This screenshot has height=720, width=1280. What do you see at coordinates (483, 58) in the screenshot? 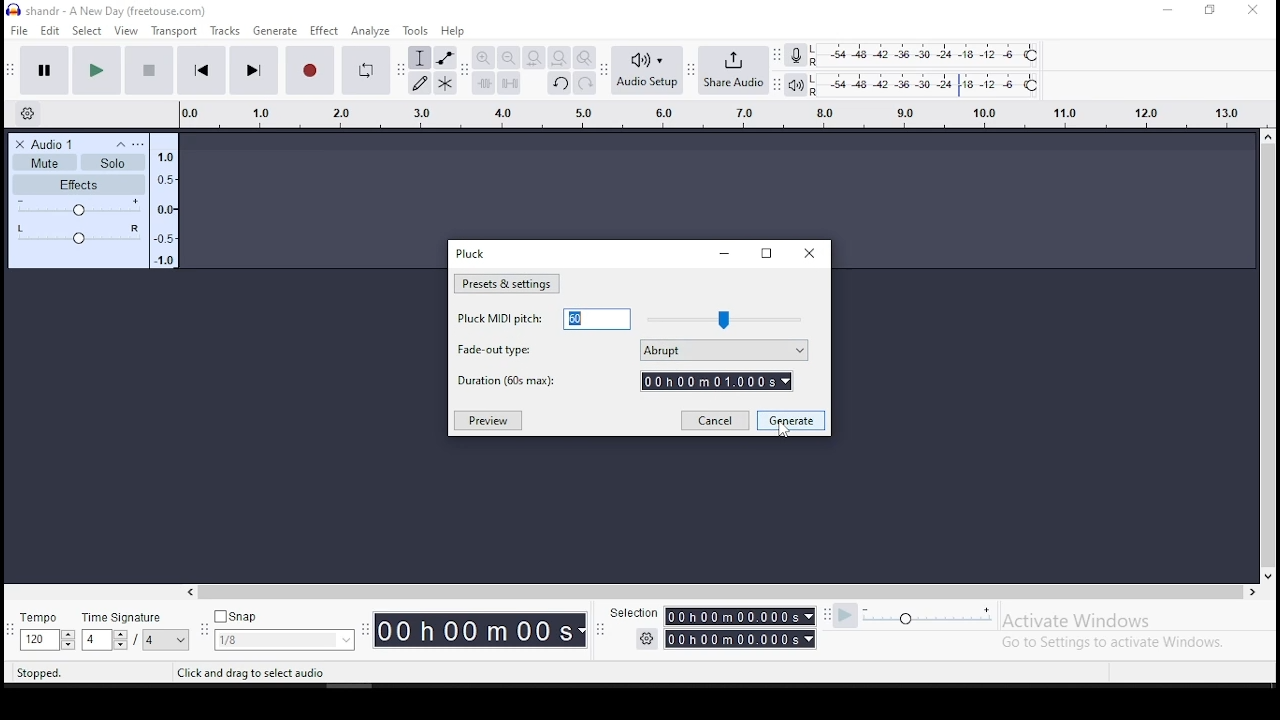
I see `zoom in` at bounding box center [483, 58].